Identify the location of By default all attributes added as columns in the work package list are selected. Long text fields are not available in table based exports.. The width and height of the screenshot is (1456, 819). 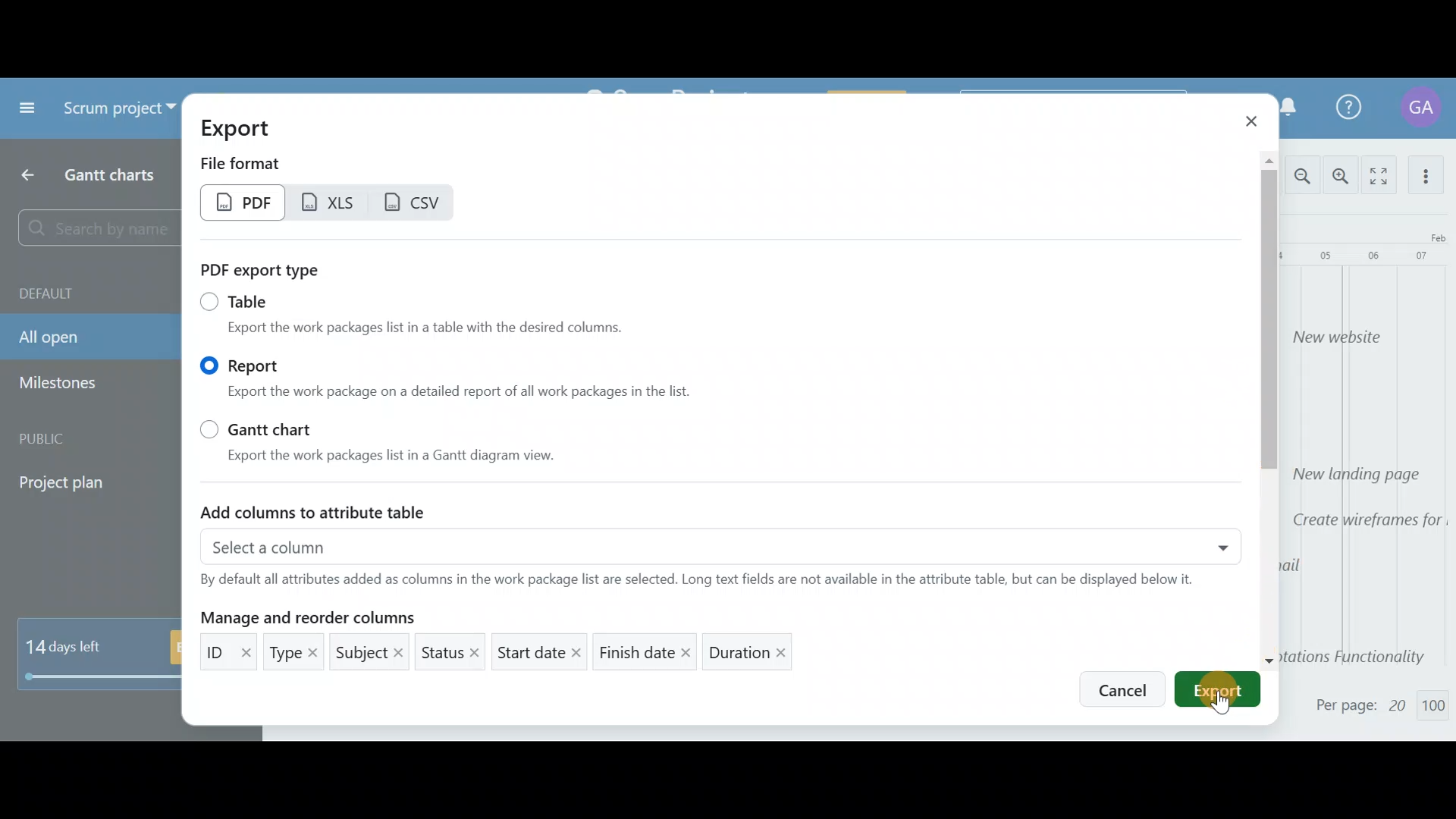
(701, 585).